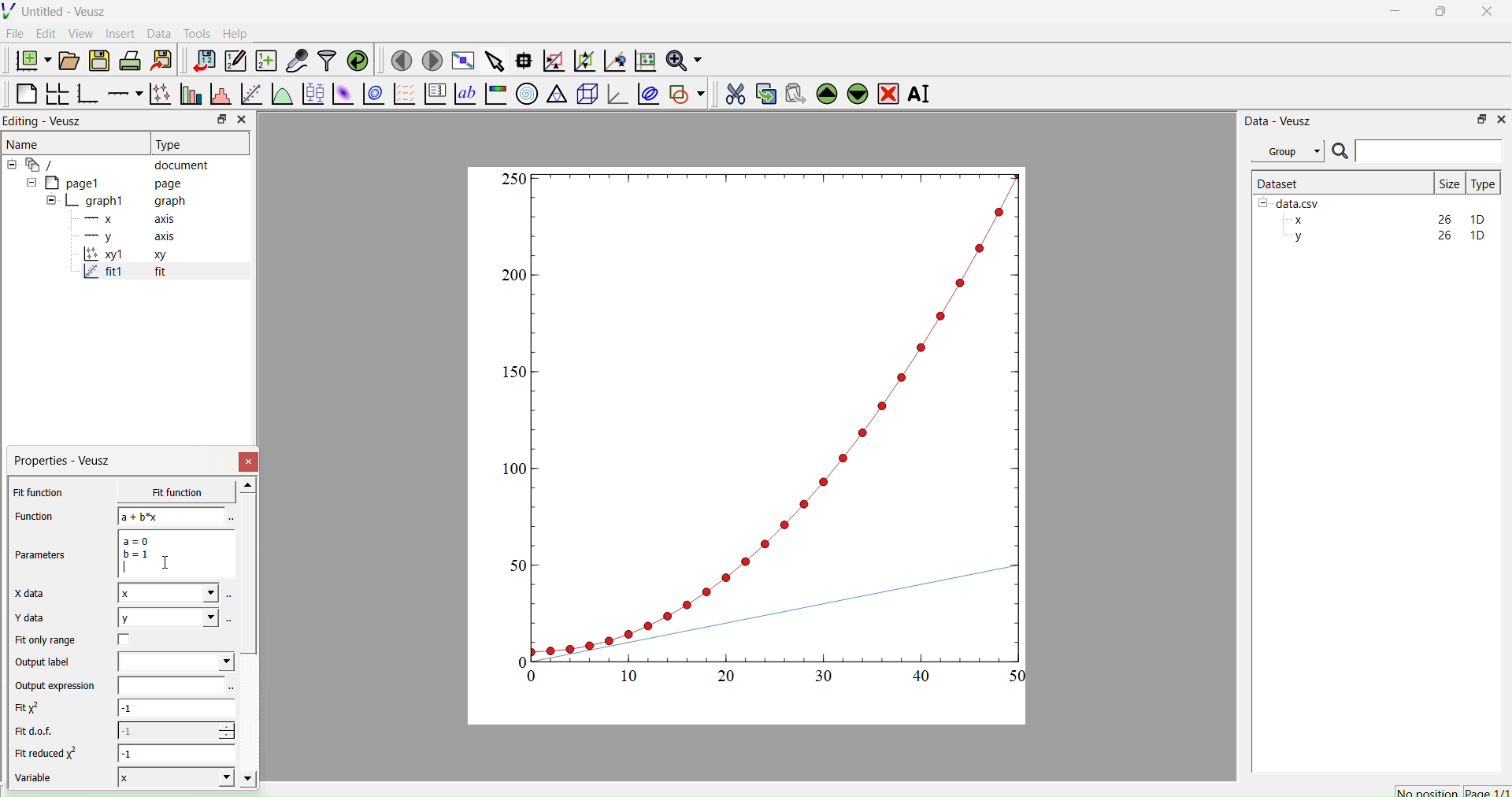 Image resolution: width=1512 pixels, height=797 pixels. I want to click on Help, so click(233, 33).